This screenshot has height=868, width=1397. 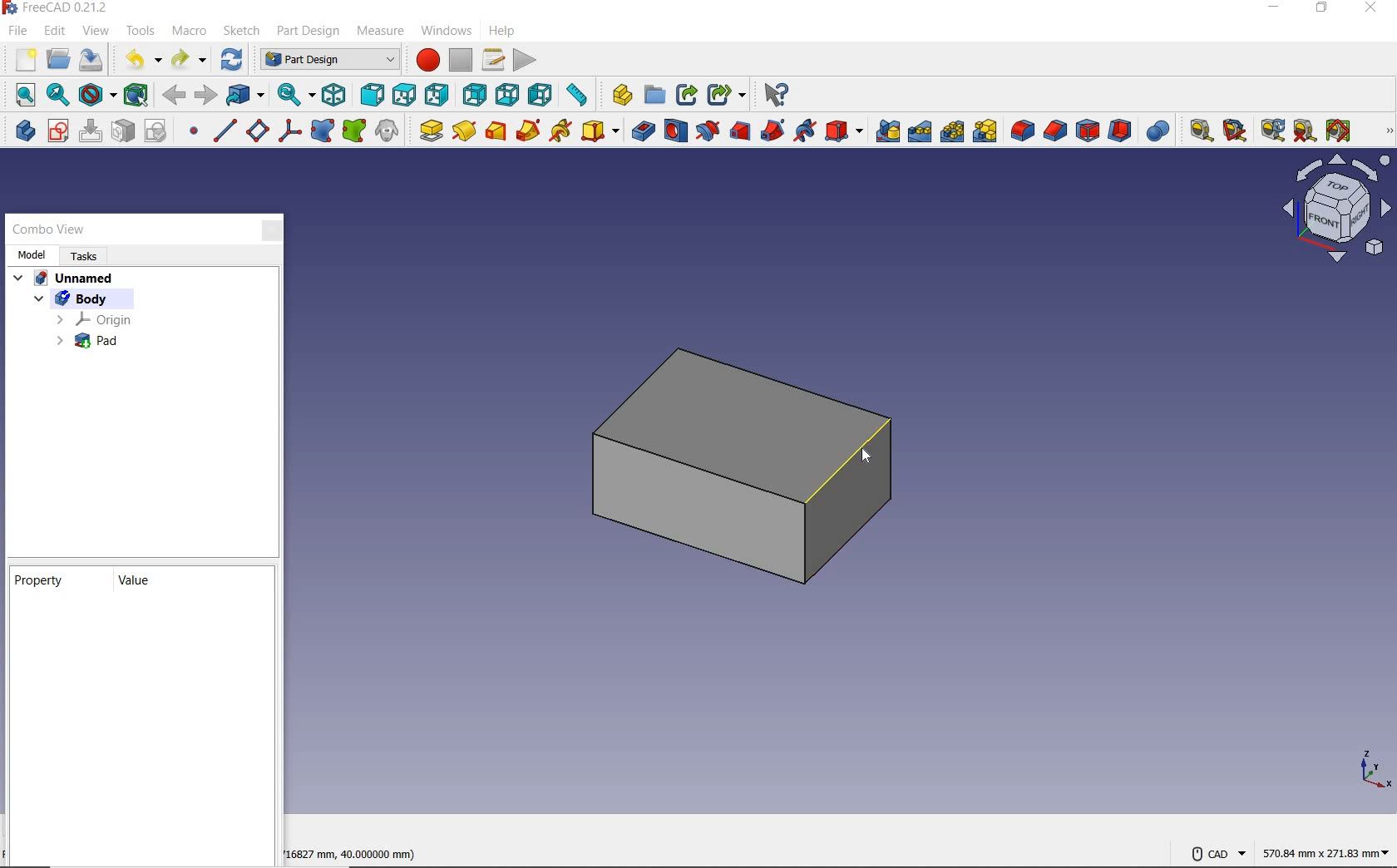 I want to click on back, so click(x=173, y=96).